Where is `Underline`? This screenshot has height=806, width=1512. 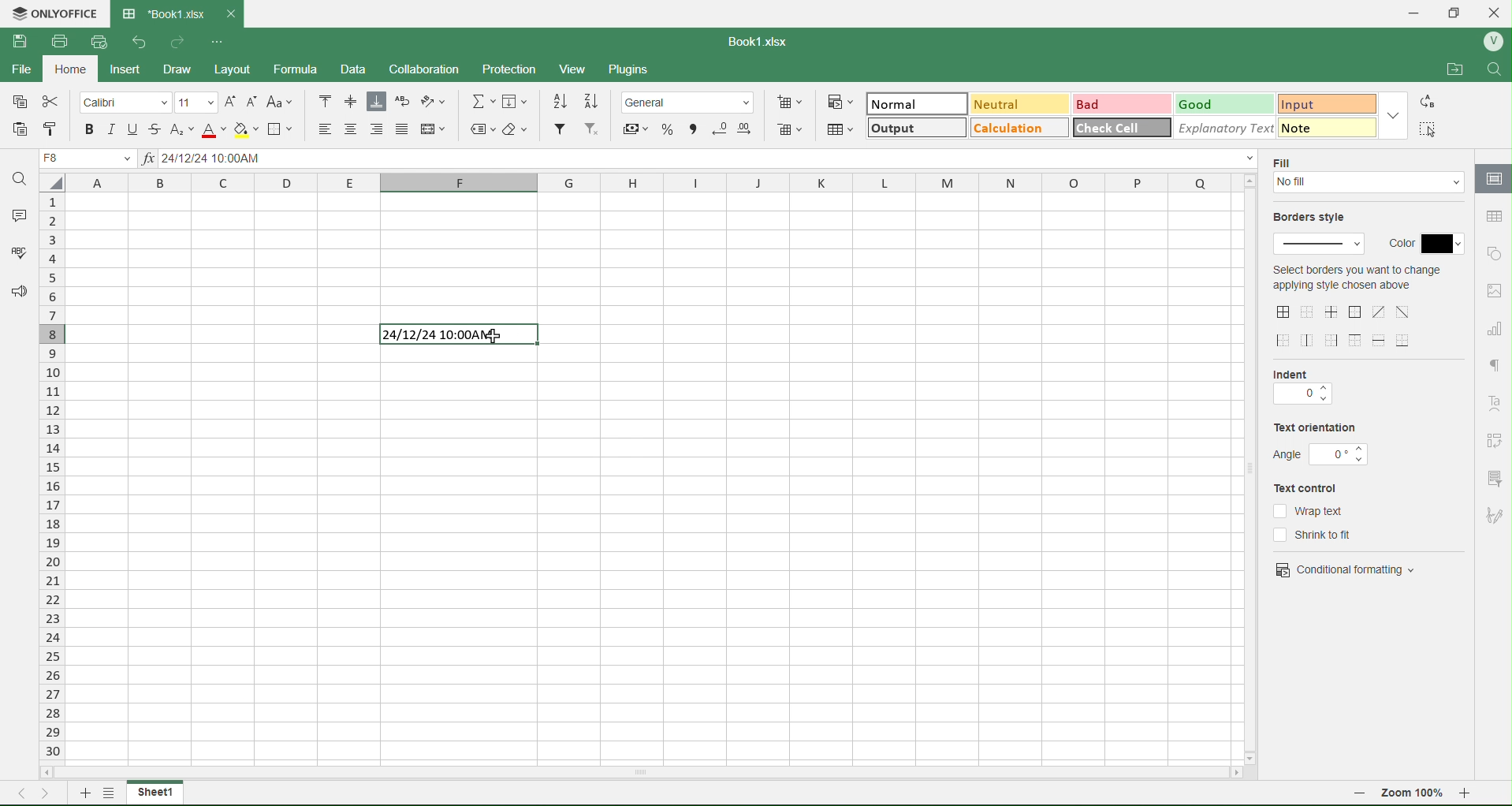 Underline is located at coordinates (131, 129).